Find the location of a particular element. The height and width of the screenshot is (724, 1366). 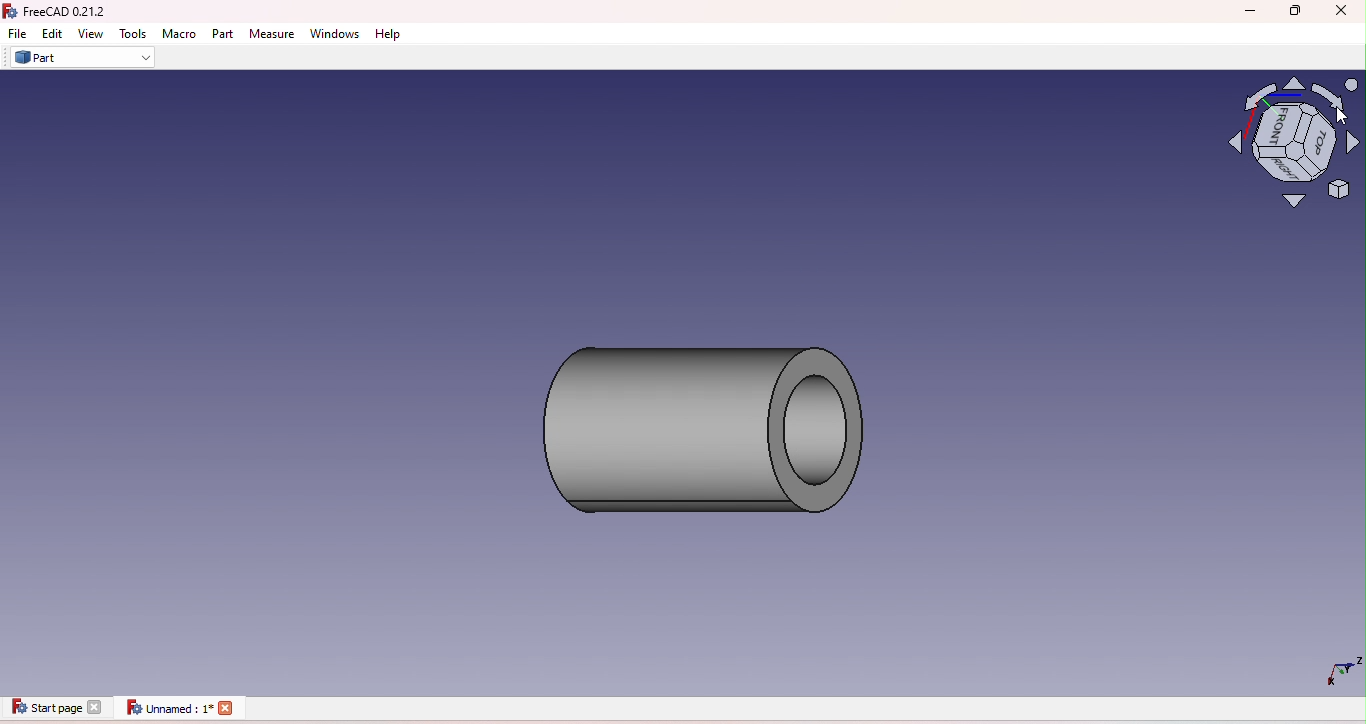

Minimize is located at coordinates (1240, 10).